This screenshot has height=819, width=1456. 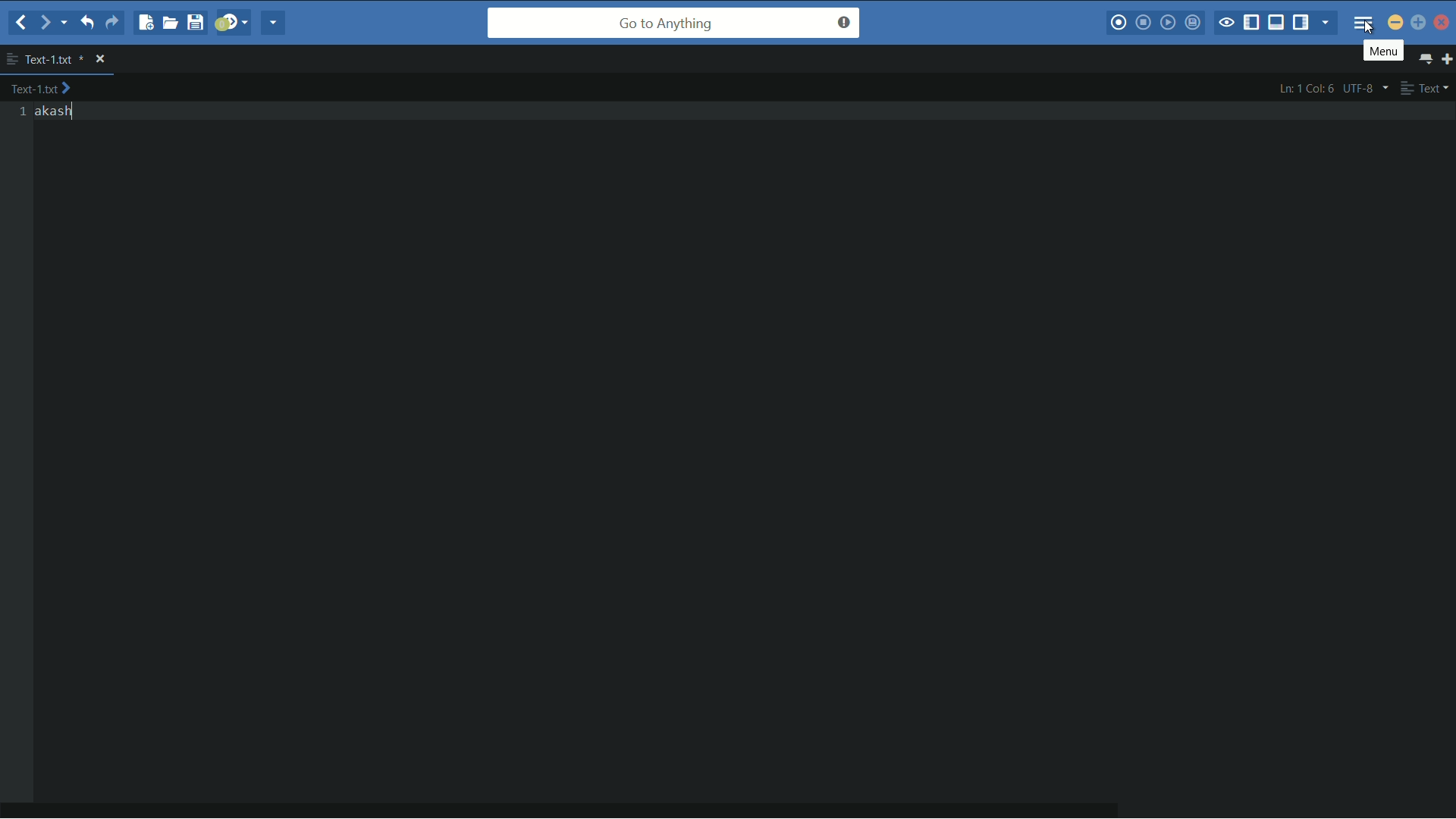 What do you see at coordinates (1278, 22) in the screenshot?
I see `show/hide bottom panel` at bounding box center [1278, 22].